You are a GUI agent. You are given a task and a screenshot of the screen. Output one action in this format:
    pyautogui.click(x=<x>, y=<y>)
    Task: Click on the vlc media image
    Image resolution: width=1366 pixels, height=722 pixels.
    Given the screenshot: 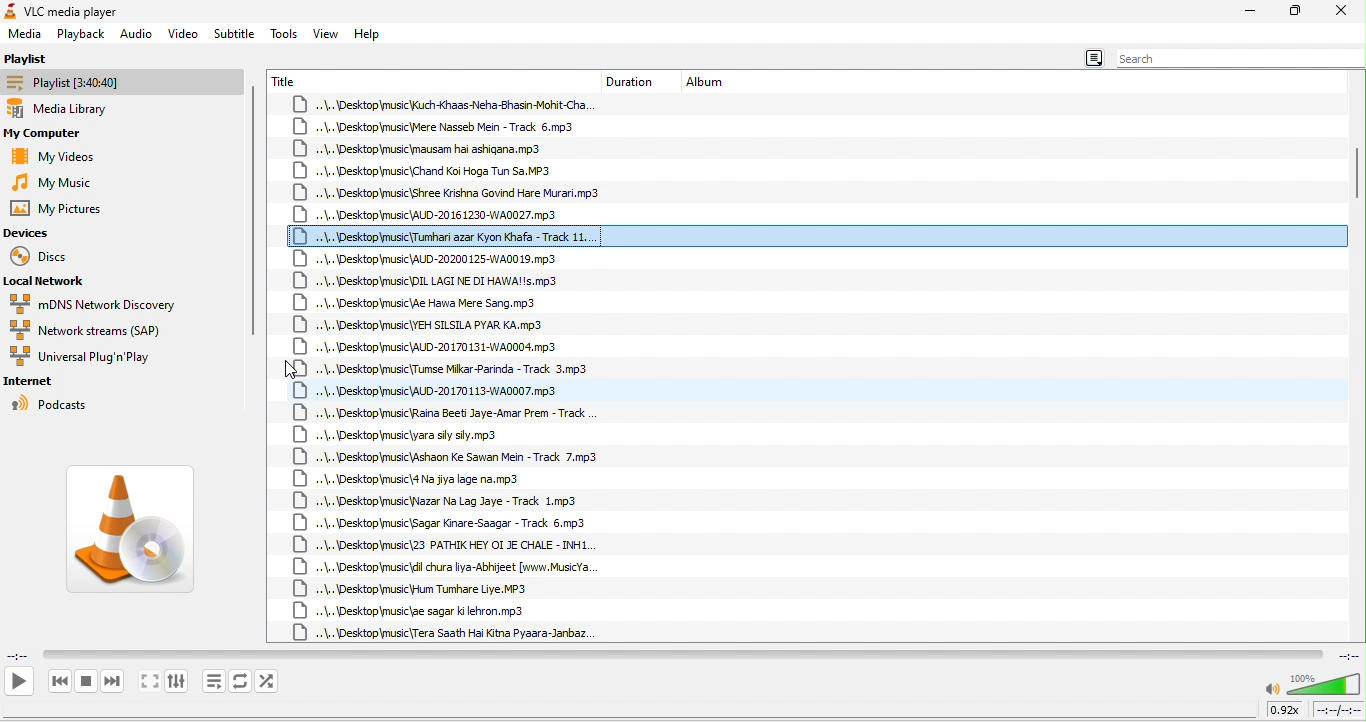 What is the action you would take?
    pyautogui.click(x=140, y=535)
    